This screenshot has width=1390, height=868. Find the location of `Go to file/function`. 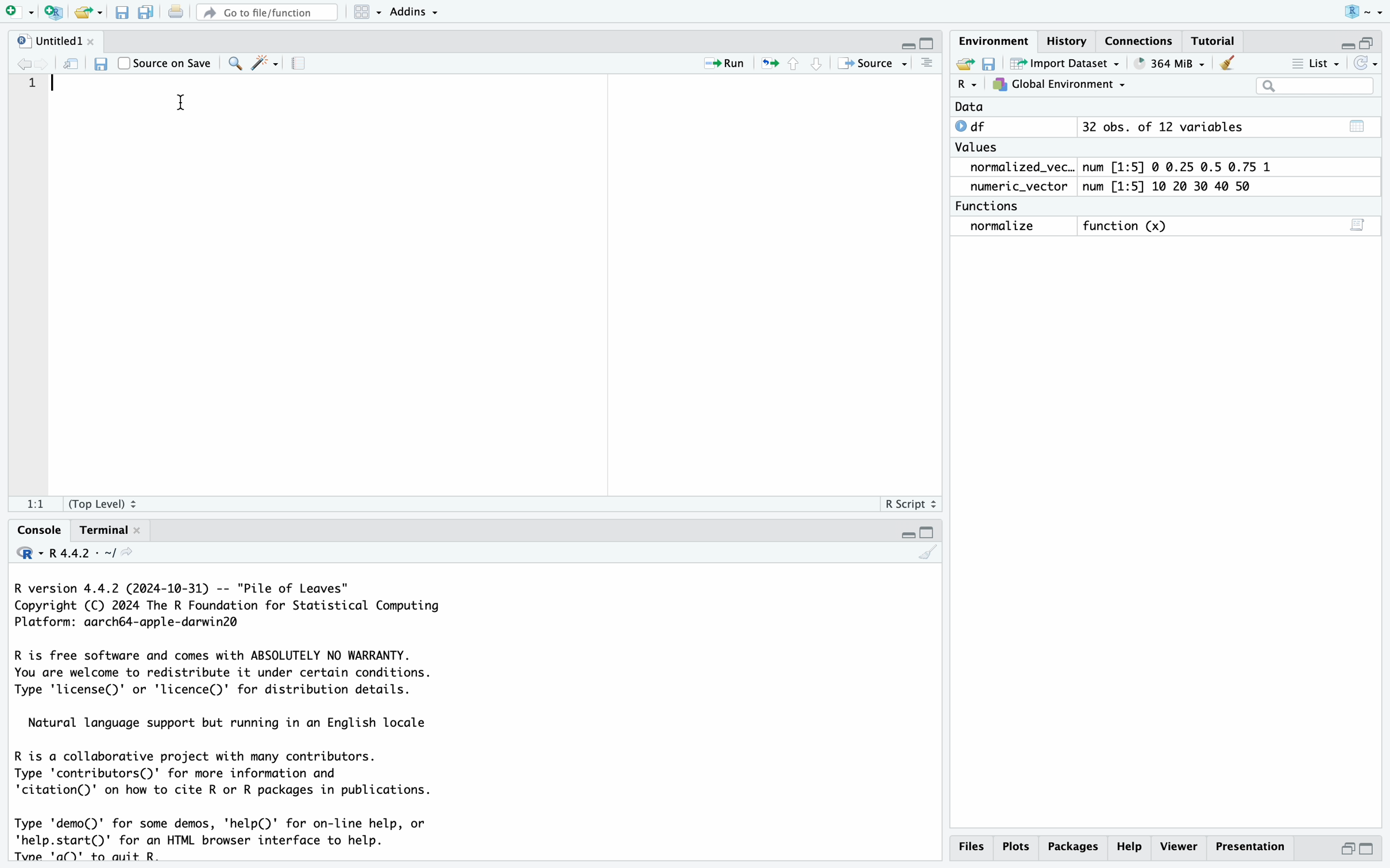

Go to file/function is located at coordinates (266, 11).